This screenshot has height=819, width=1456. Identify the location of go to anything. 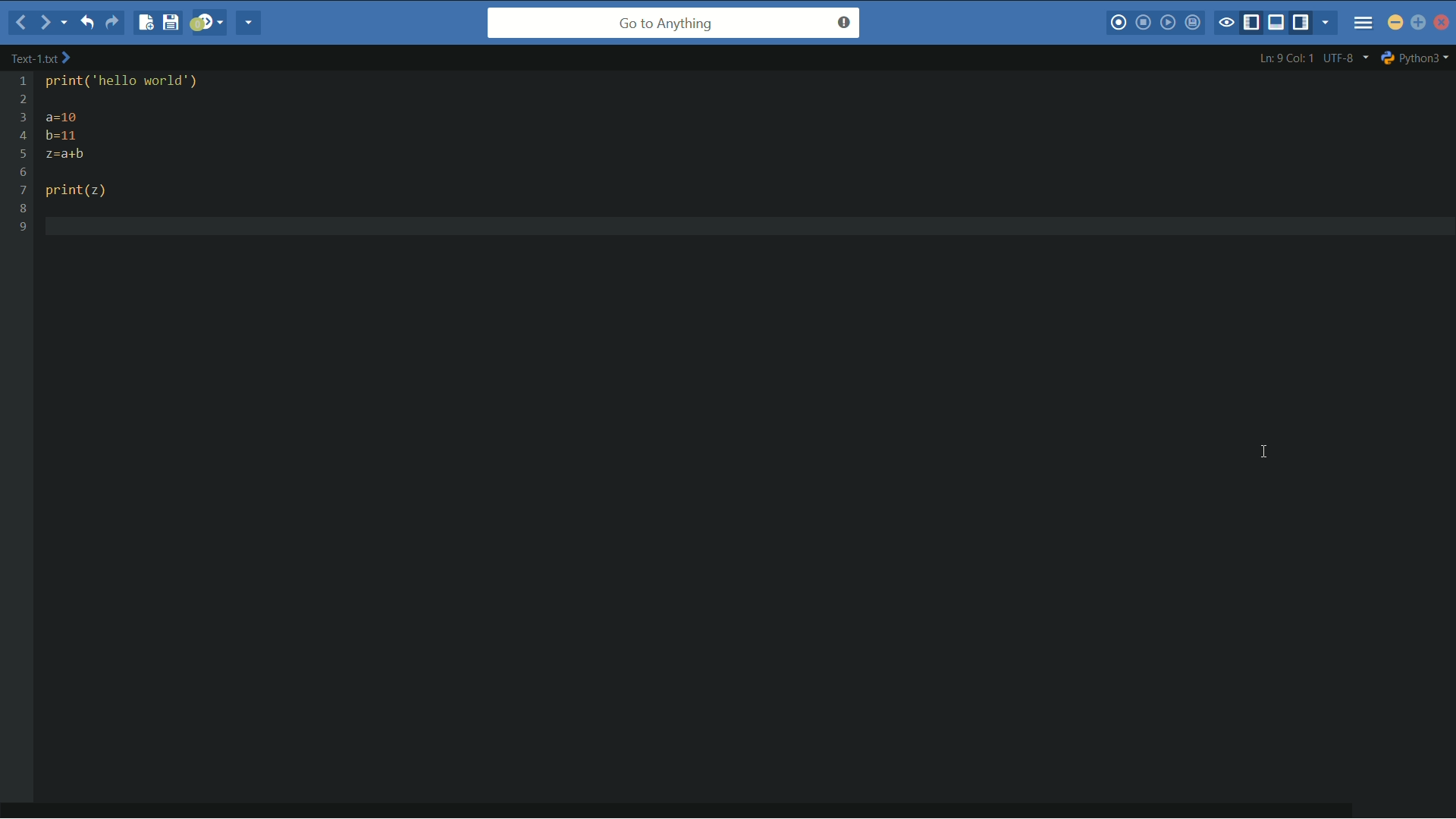
(673, 24).